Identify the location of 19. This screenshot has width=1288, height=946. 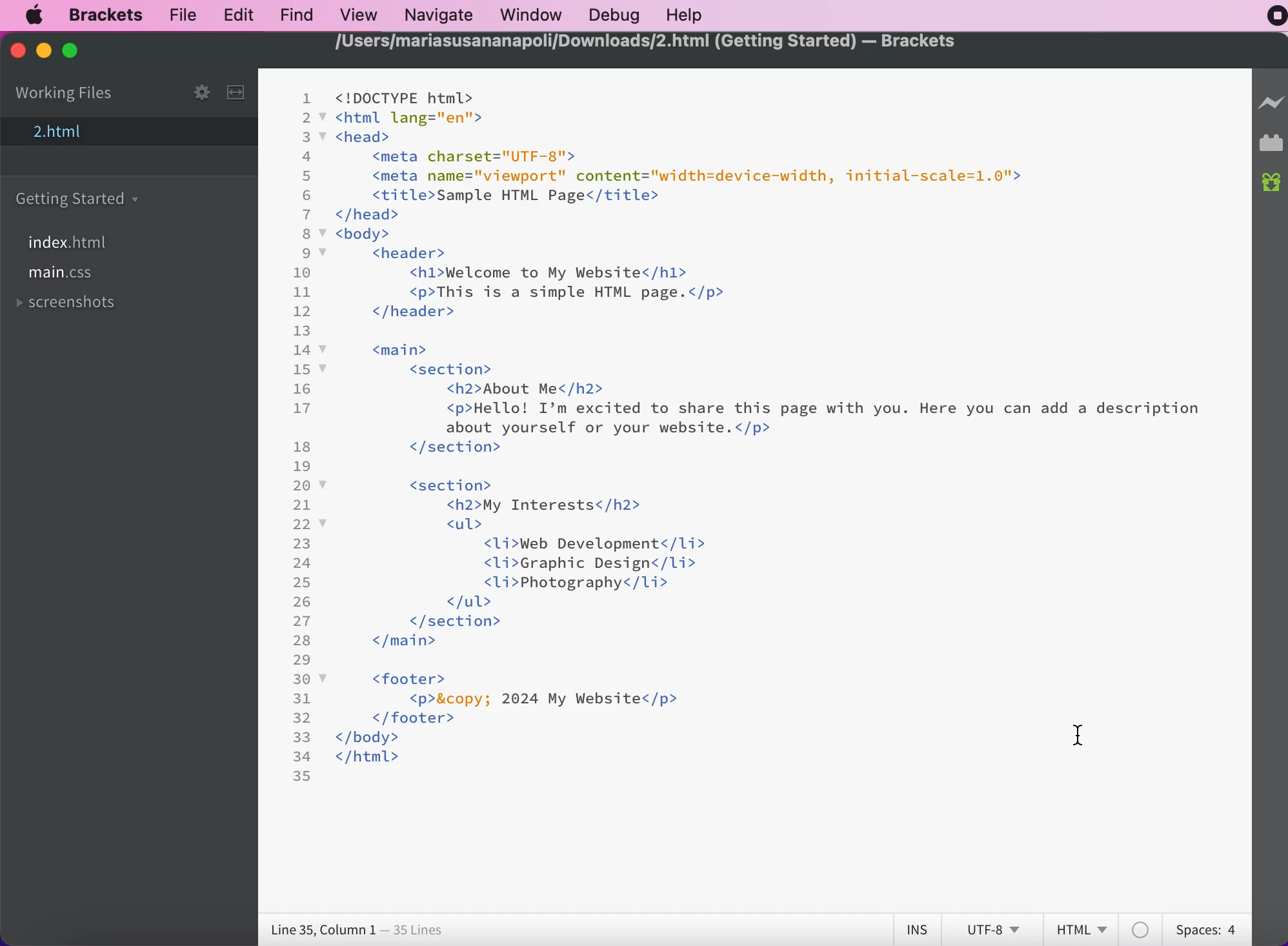
(303, 467).